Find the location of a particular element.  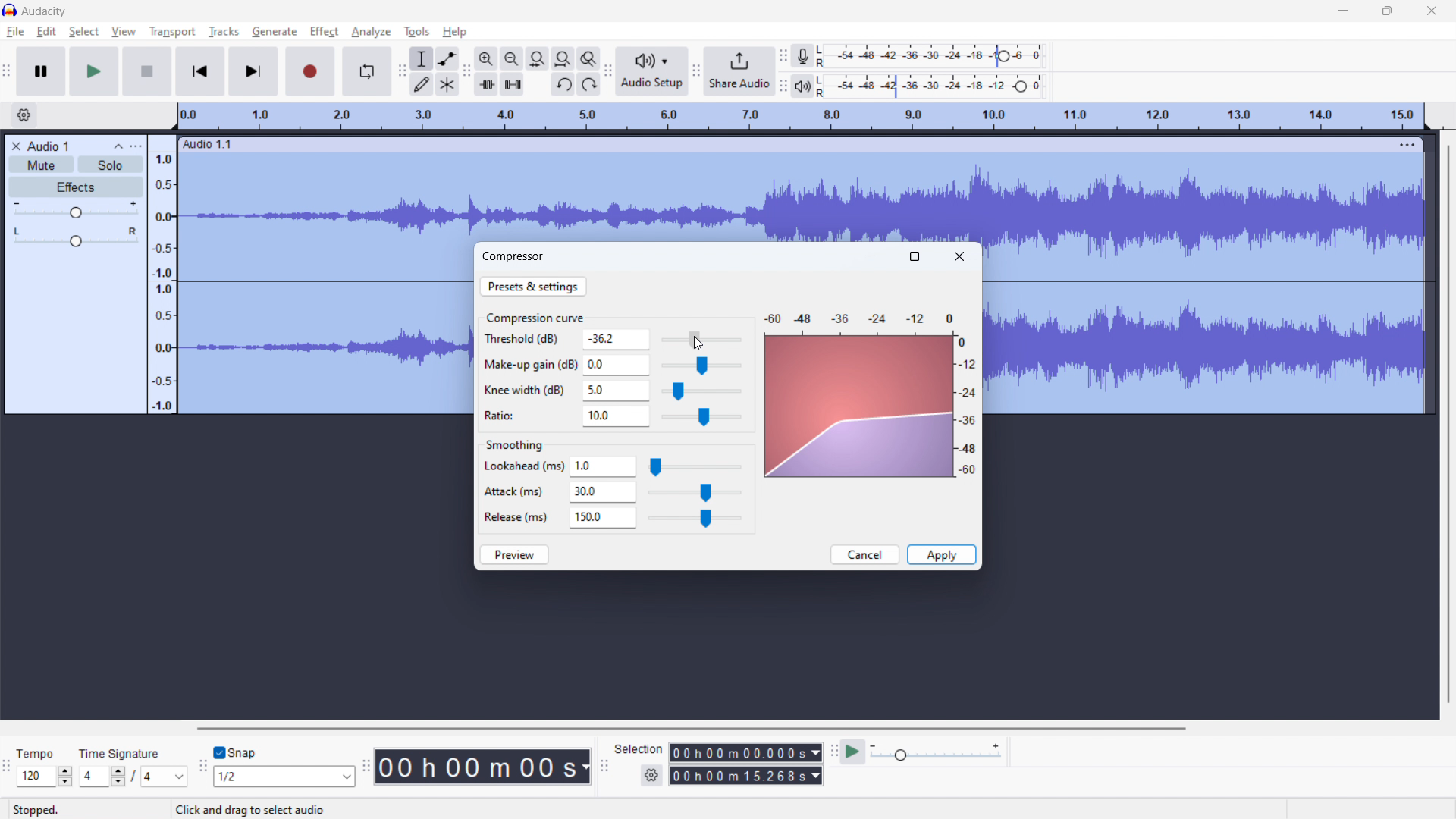

playback level is located at coordinates (940, 87).